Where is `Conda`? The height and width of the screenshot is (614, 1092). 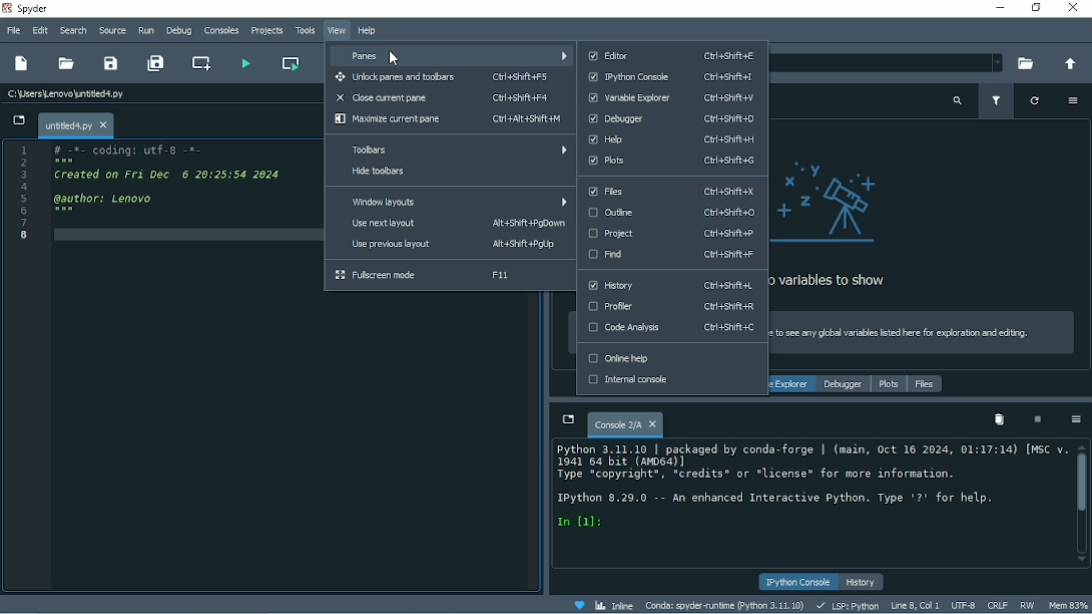
Conda is located at coordinates (724, 605).